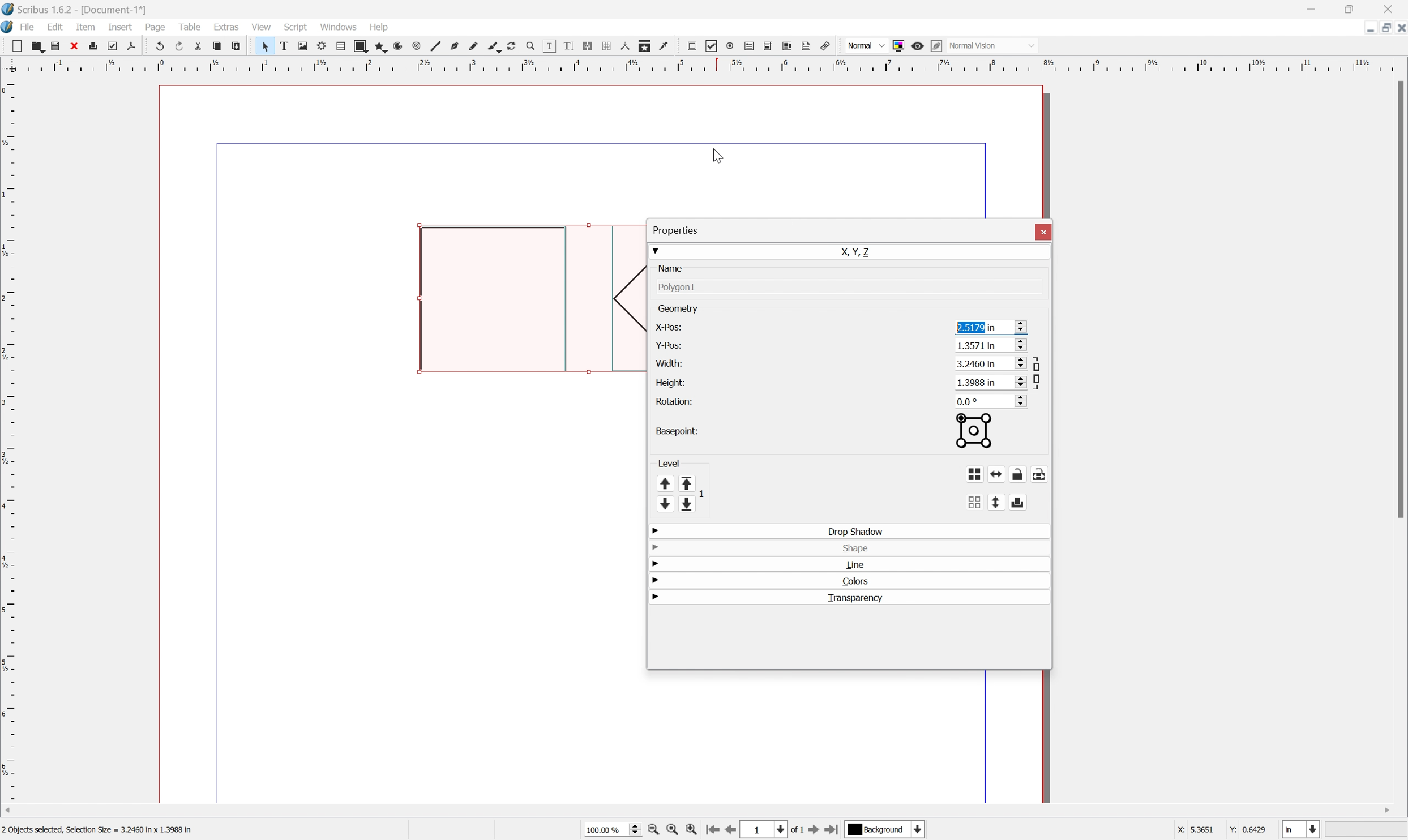 The width and height of the screenshot is (1408, 840). Describe the element at coordinates (1221, 828) in the screenshot. I see `coordinates` at that location.